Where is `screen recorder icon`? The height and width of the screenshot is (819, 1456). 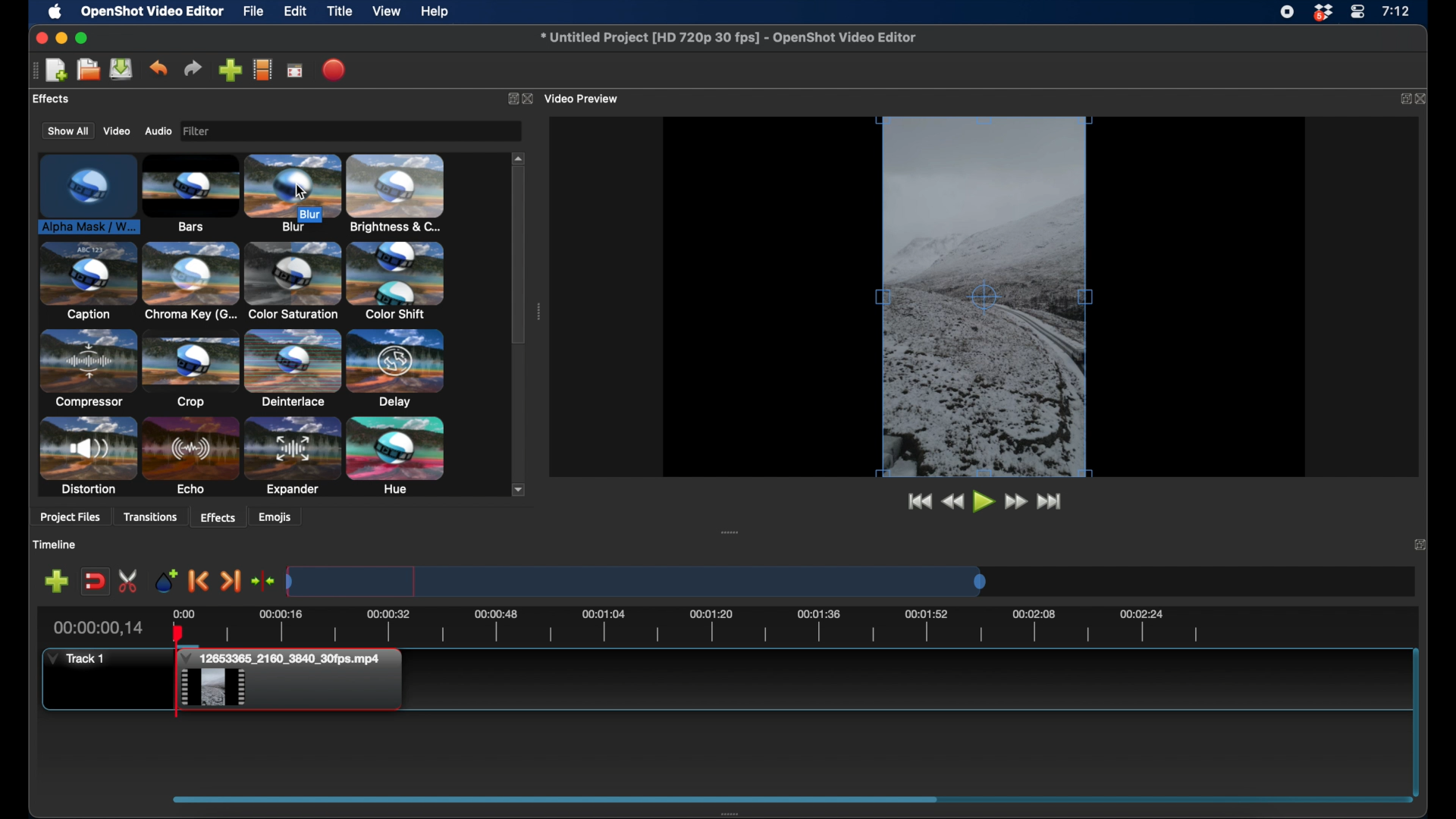
screen recorder icon is located at coordinates (1287, 12).